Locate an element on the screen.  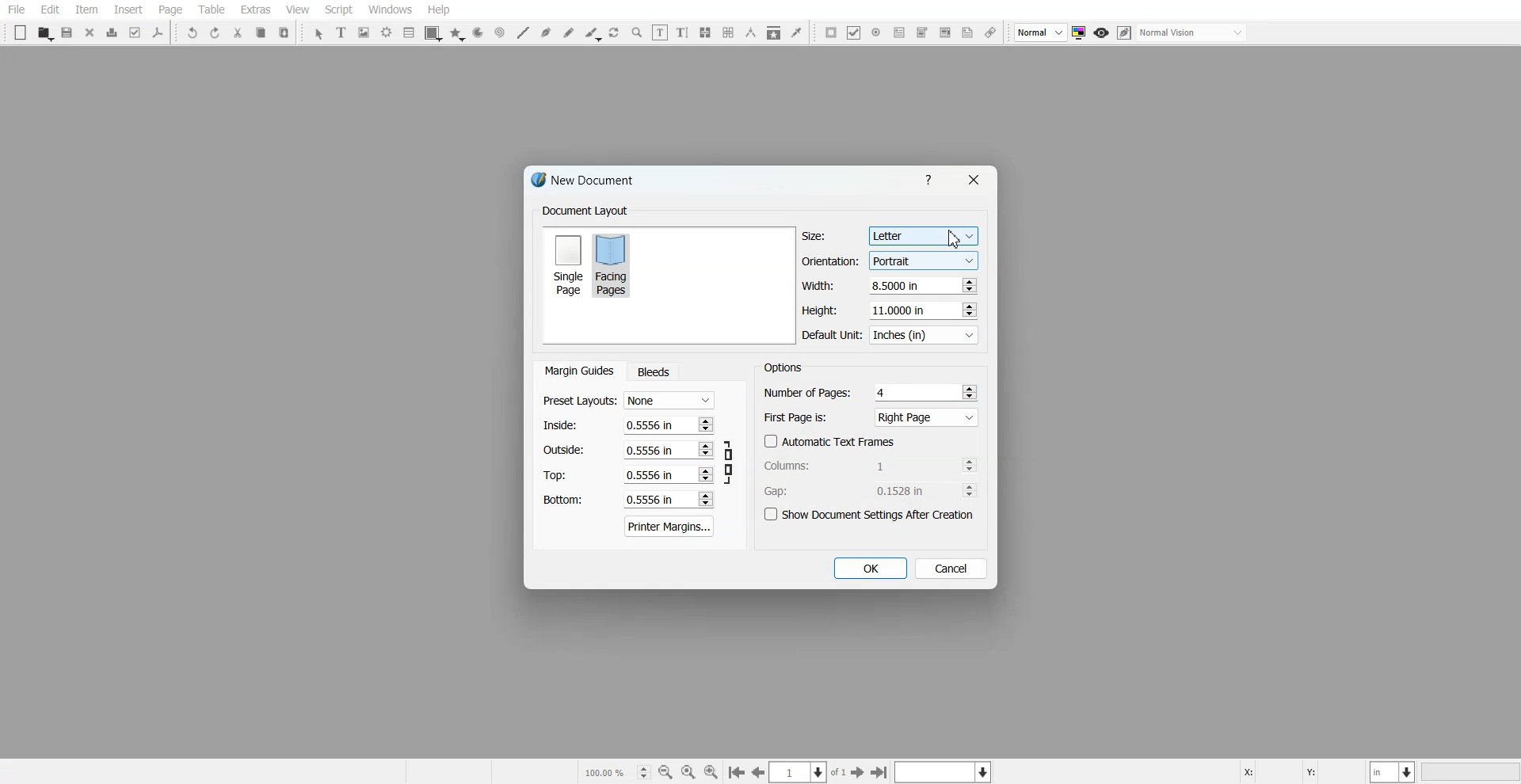
Text is located at coordinates (783, 367).